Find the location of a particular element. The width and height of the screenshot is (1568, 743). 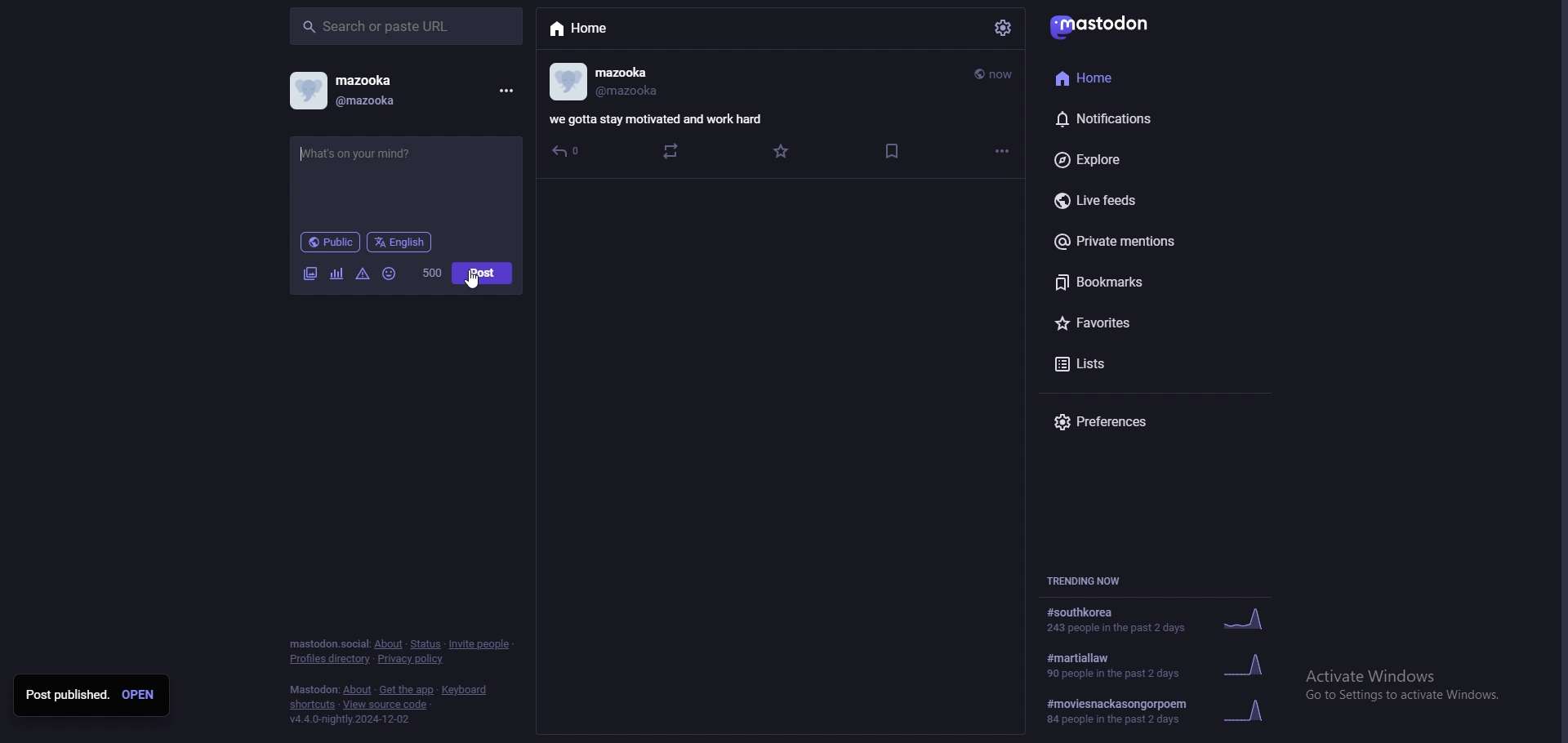

mastodon is located at coordinates (314, 689).